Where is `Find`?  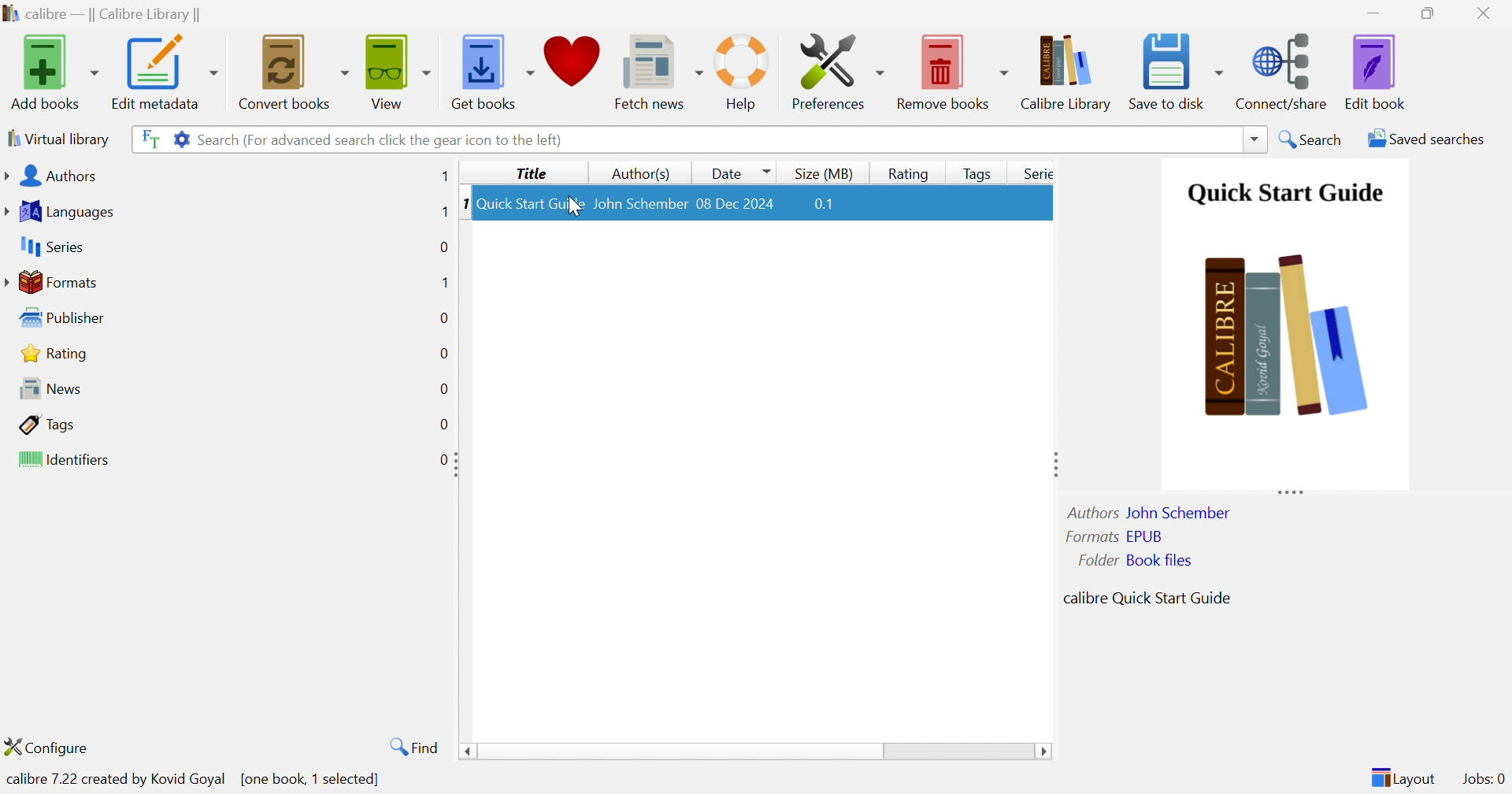 Find is located at coordinates (416, 747).